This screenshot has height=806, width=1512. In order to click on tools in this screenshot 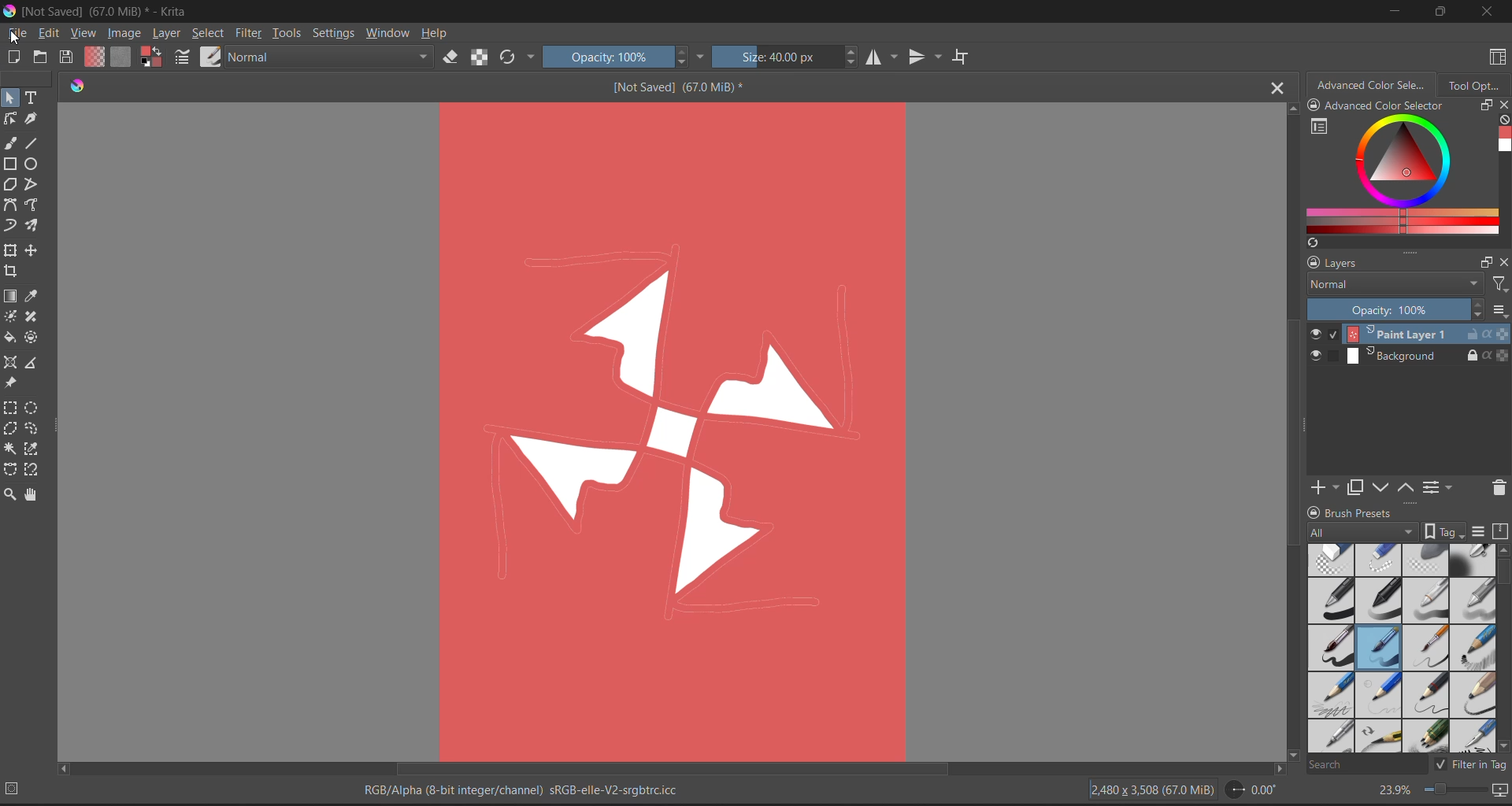, I will do `click(287, 33)`.